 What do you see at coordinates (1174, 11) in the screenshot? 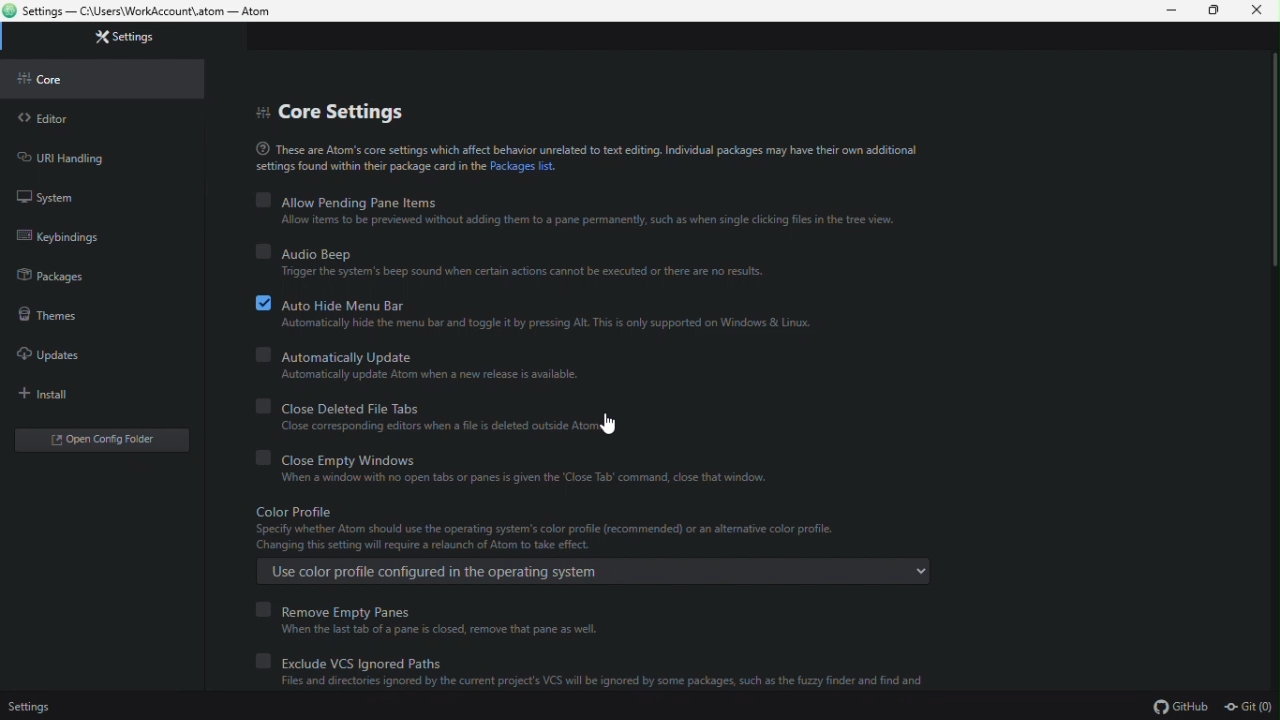
I see `minimize` at bounding box center [1174, 11].